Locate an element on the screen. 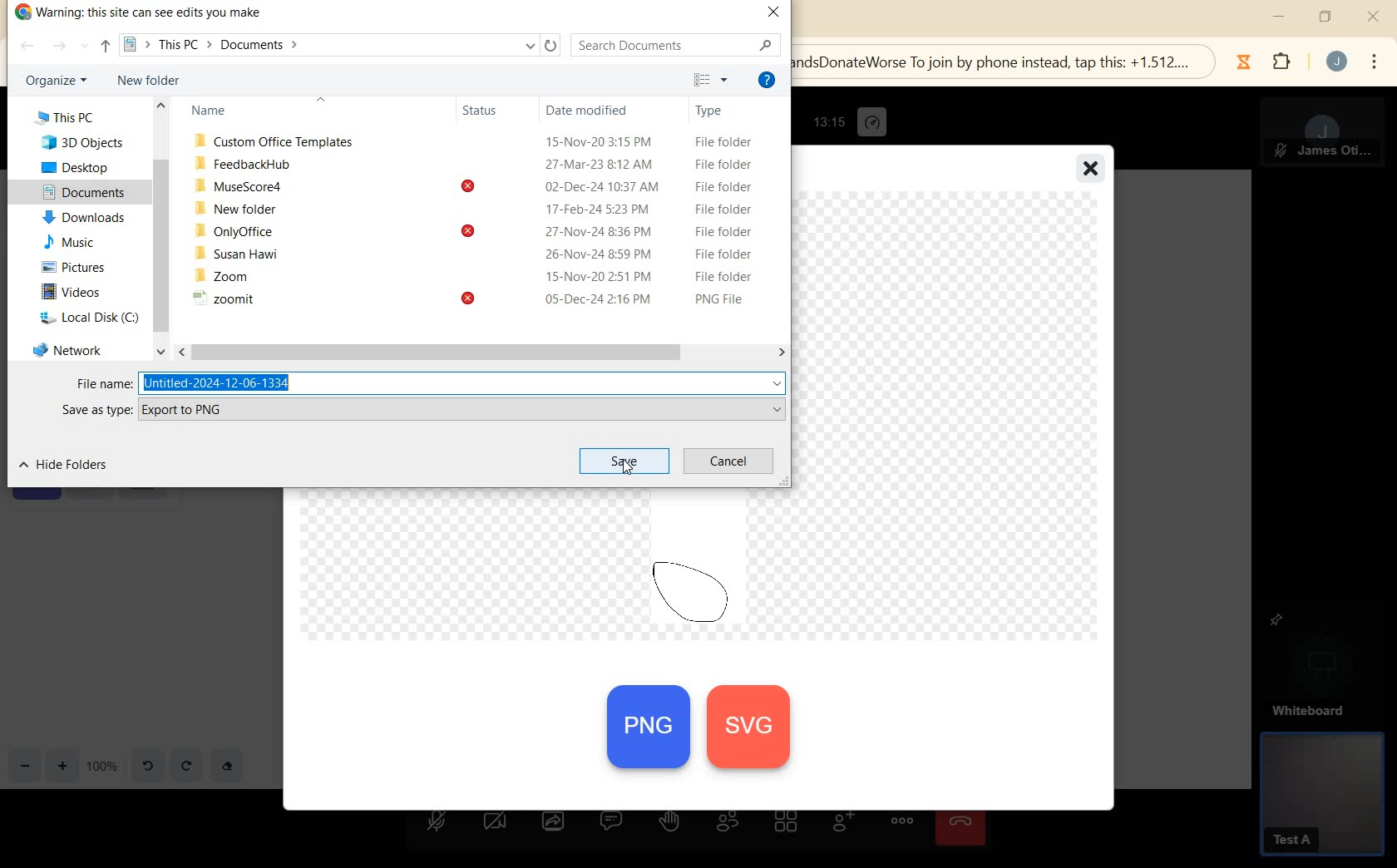  restore down is located at coordinates (1325, 19).